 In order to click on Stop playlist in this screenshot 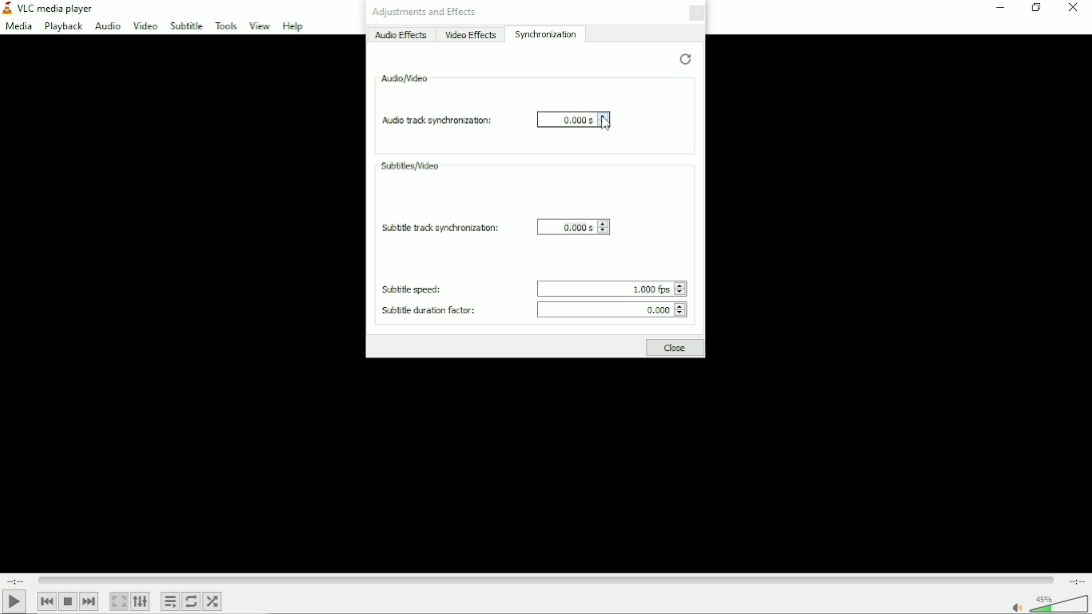, I will do `click(68, 601)`.